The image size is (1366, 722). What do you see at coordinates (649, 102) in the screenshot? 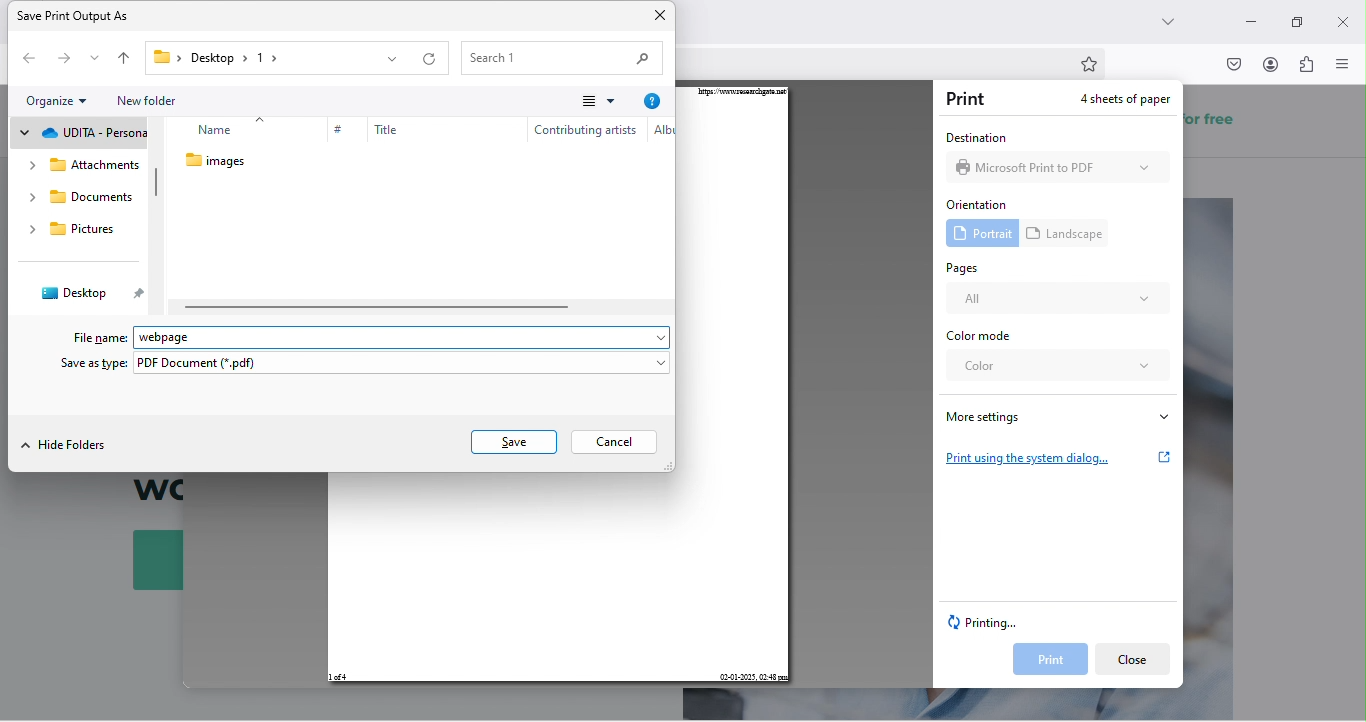
I see `help` at bounding box center [649, 102].